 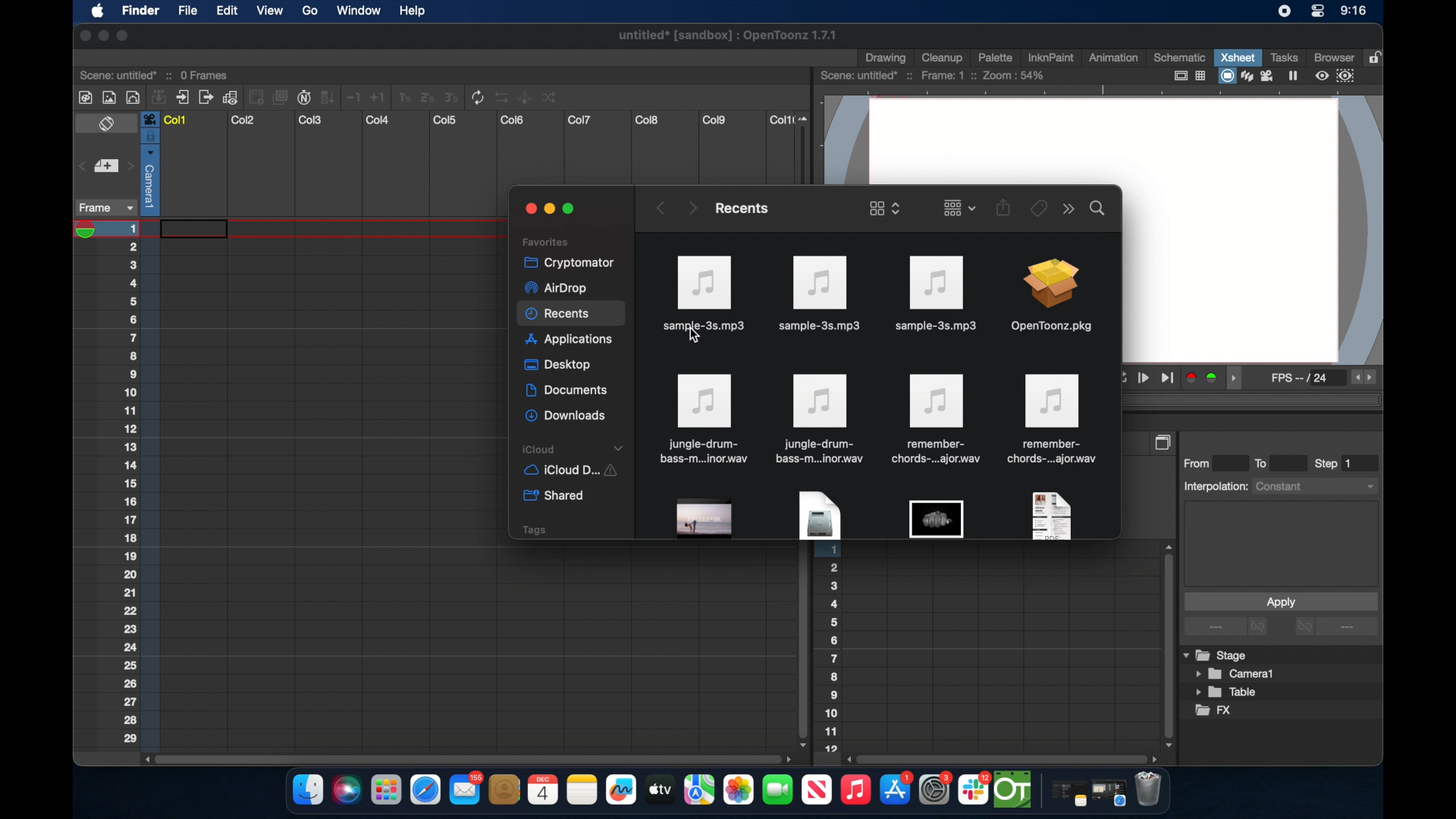 I want to click on to, so click(x=1266, y=463).